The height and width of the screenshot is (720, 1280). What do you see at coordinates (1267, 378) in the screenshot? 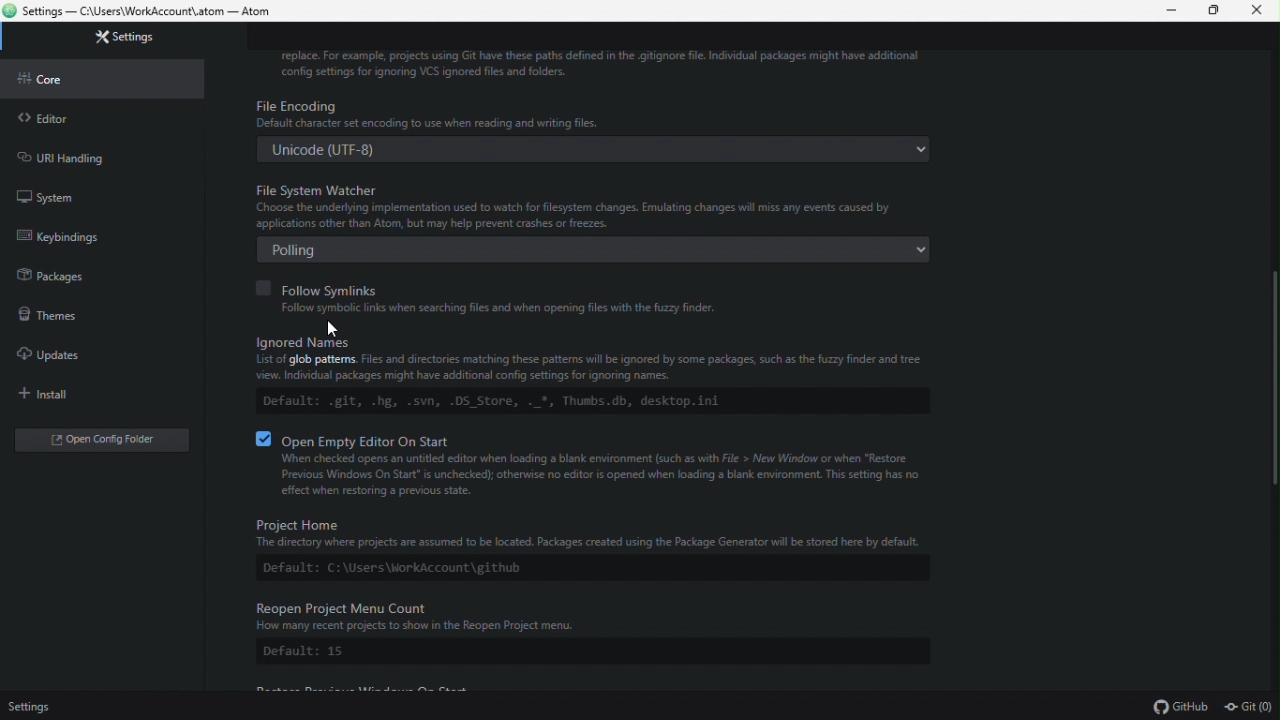
I see `Scroll bar` at bounding box center [1267, 378].